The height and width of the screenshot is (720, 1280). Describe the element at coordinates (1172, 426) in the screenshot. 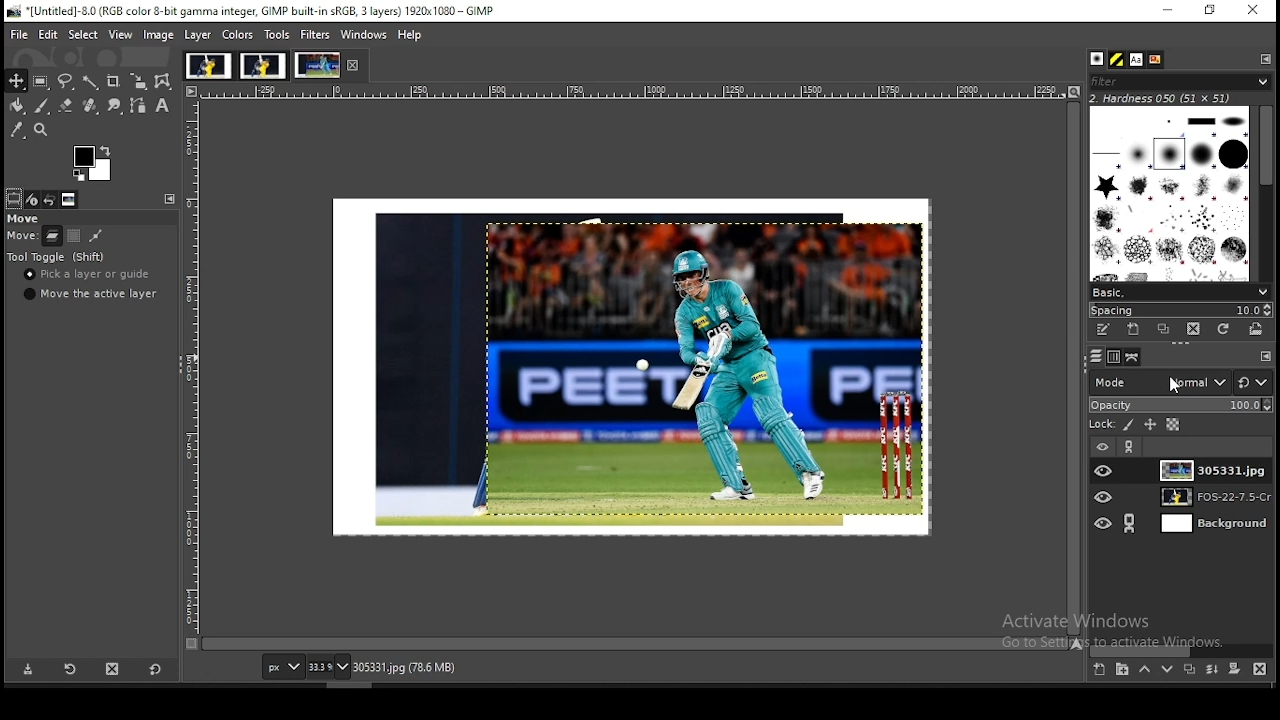

I see `lock alpha channel` at that location.